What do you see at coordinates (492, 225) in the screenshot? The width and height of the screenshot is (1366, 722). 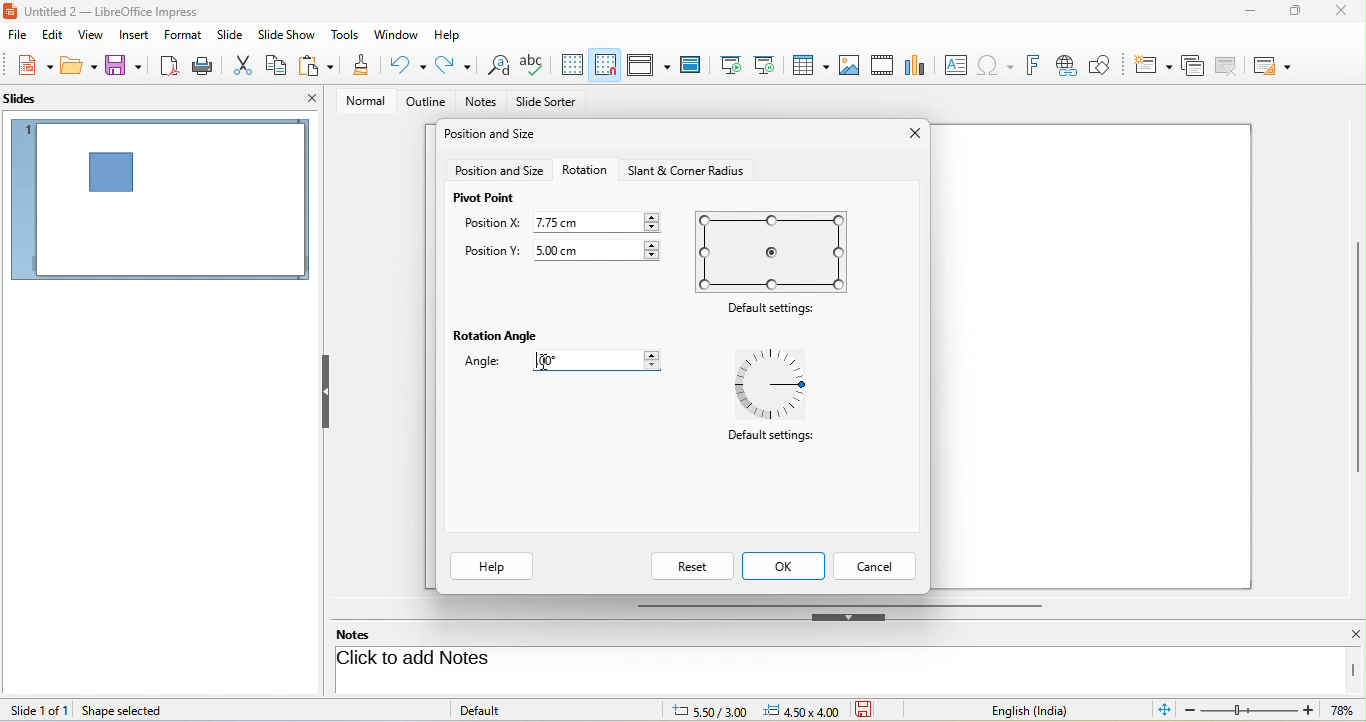 I see `position x` at bounding box center [492, 225].